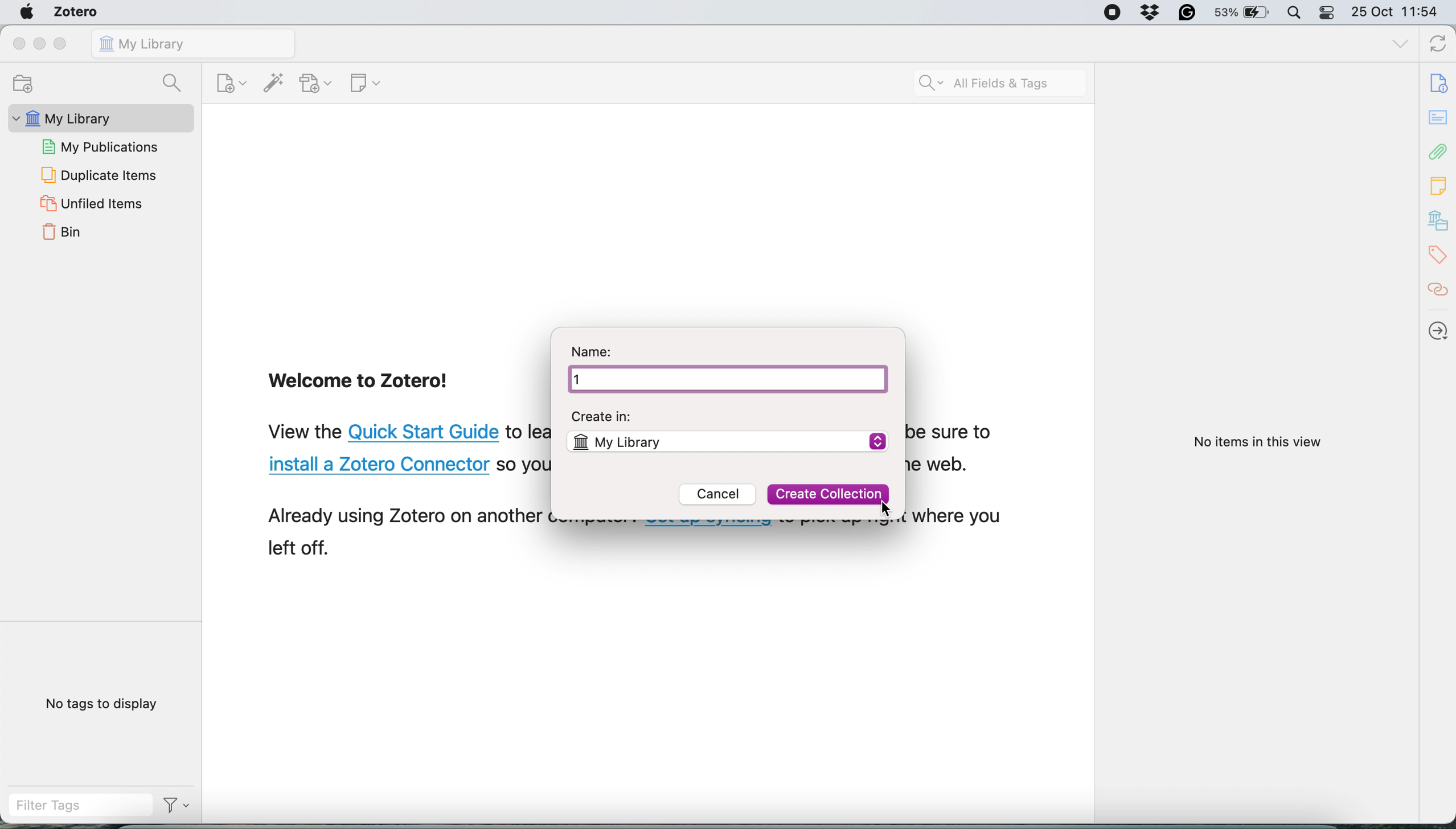  Describe the element at coordinates (1245, 13) in the screenshot. I see `53% battery` at that location.